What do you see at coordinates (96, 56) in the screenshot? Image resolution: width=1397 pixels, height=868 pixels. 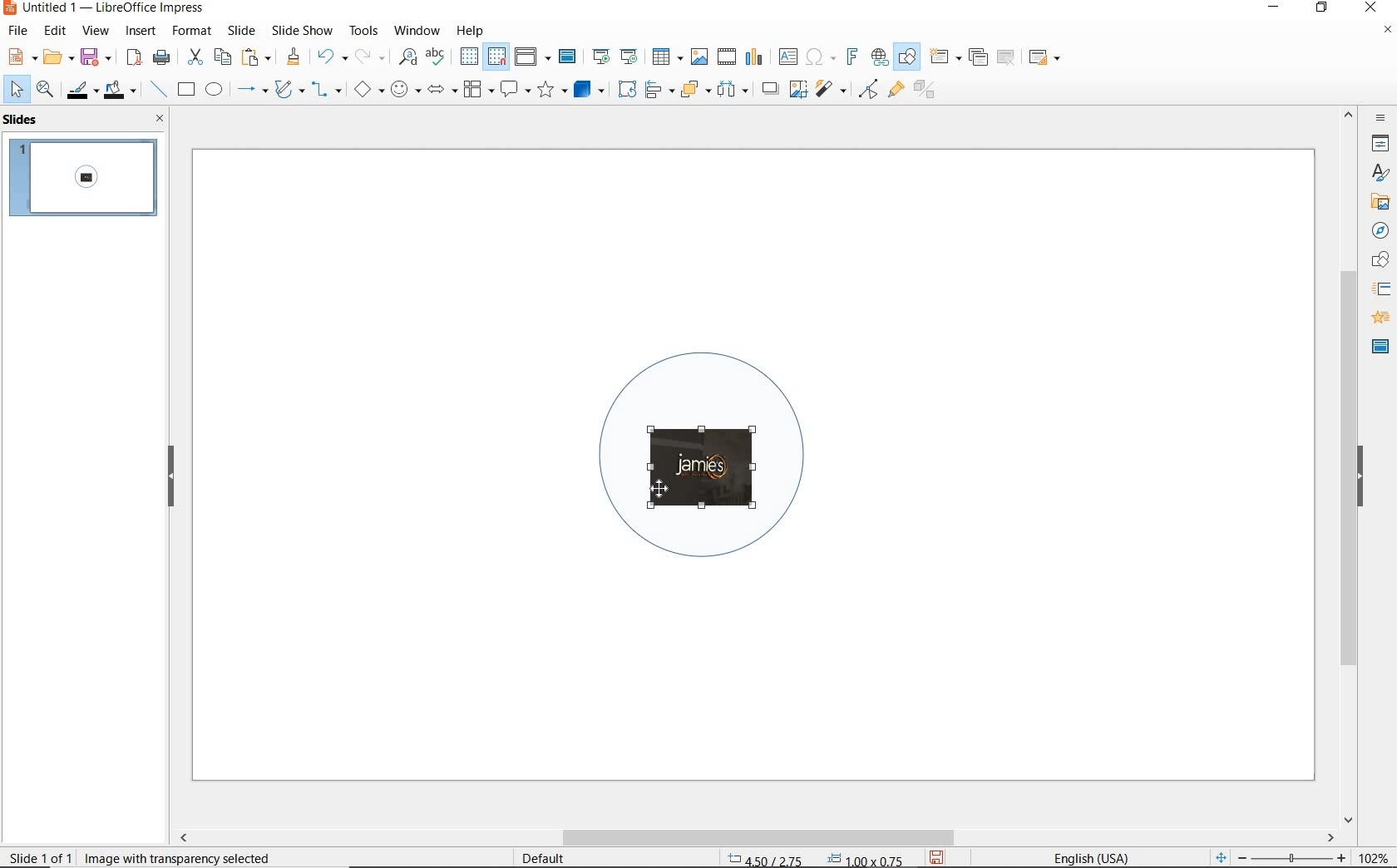 I see `save` at bounding box center [96, 56].